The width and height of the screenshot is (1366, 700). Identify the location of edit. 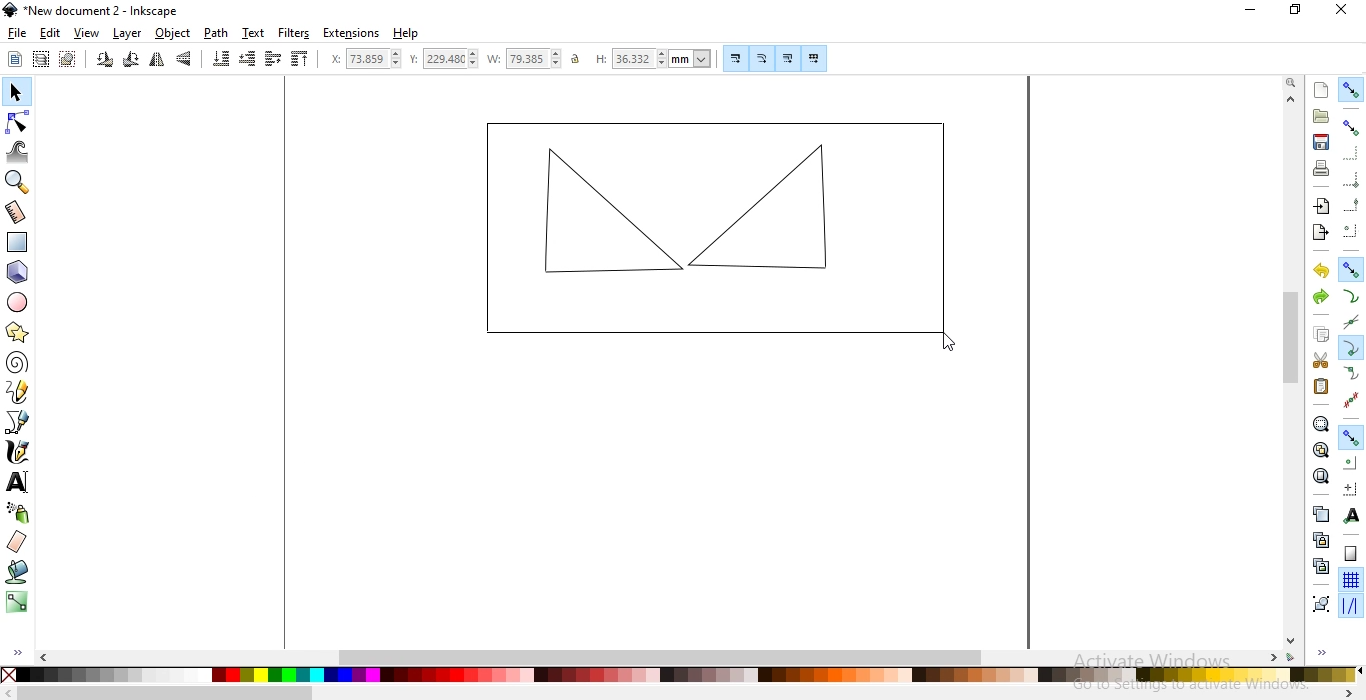
(48, 33).